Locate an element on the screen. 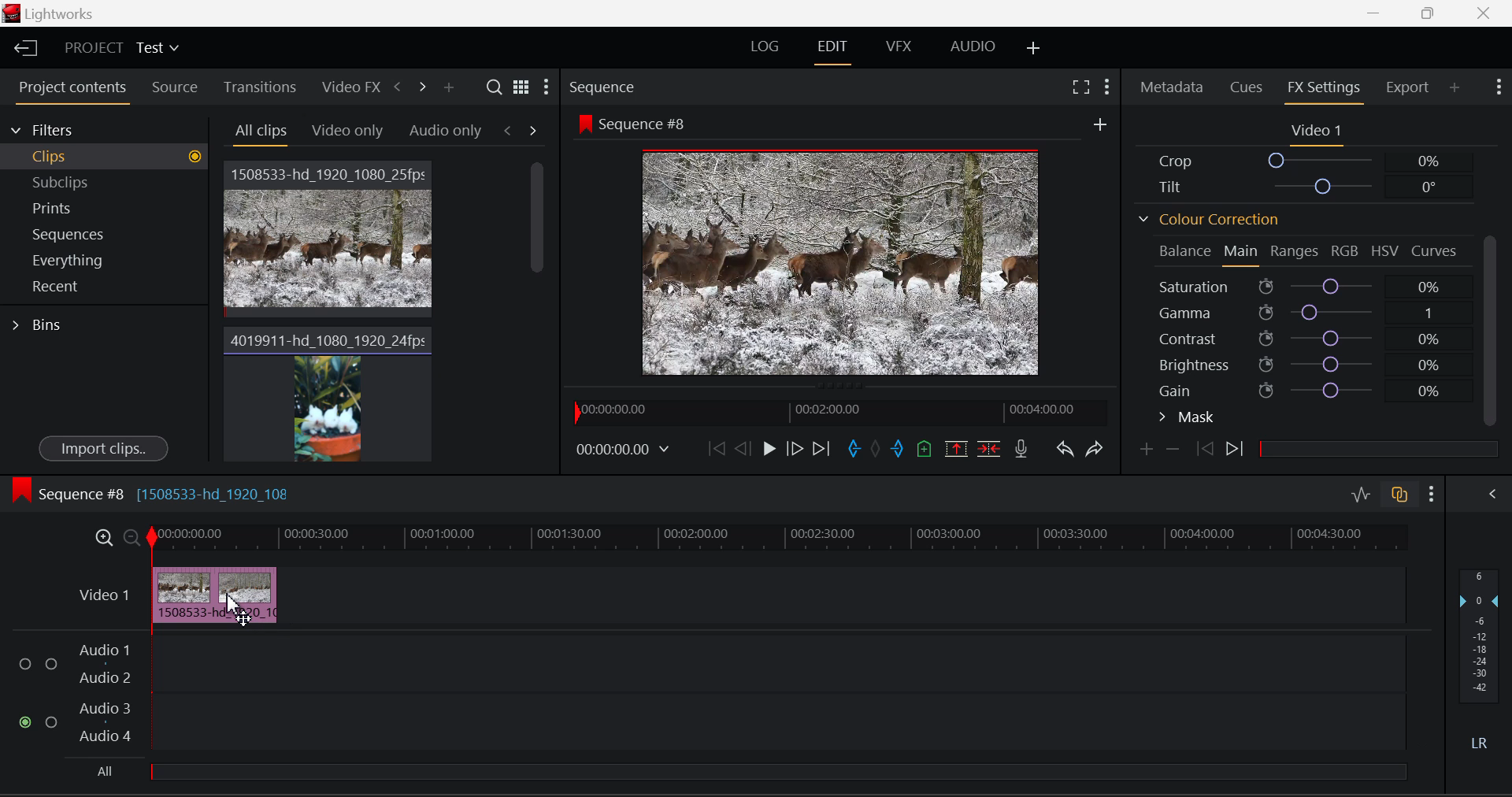 The width and height of the screenshot is (1512, 797). Add Keyframe is located at coordinates (1147, 450).